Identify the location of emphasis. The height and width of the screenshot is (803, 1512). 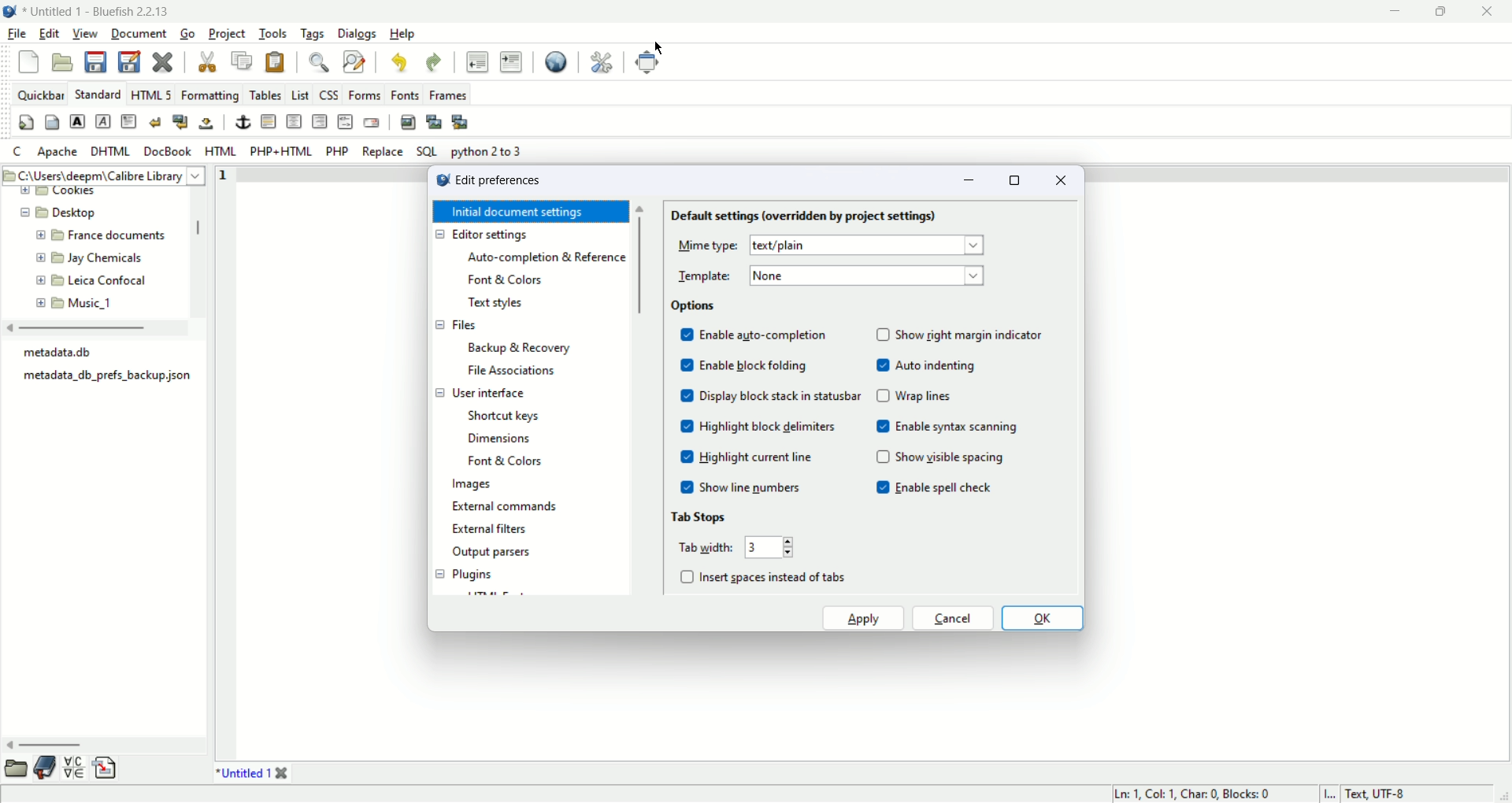
(102, 122).